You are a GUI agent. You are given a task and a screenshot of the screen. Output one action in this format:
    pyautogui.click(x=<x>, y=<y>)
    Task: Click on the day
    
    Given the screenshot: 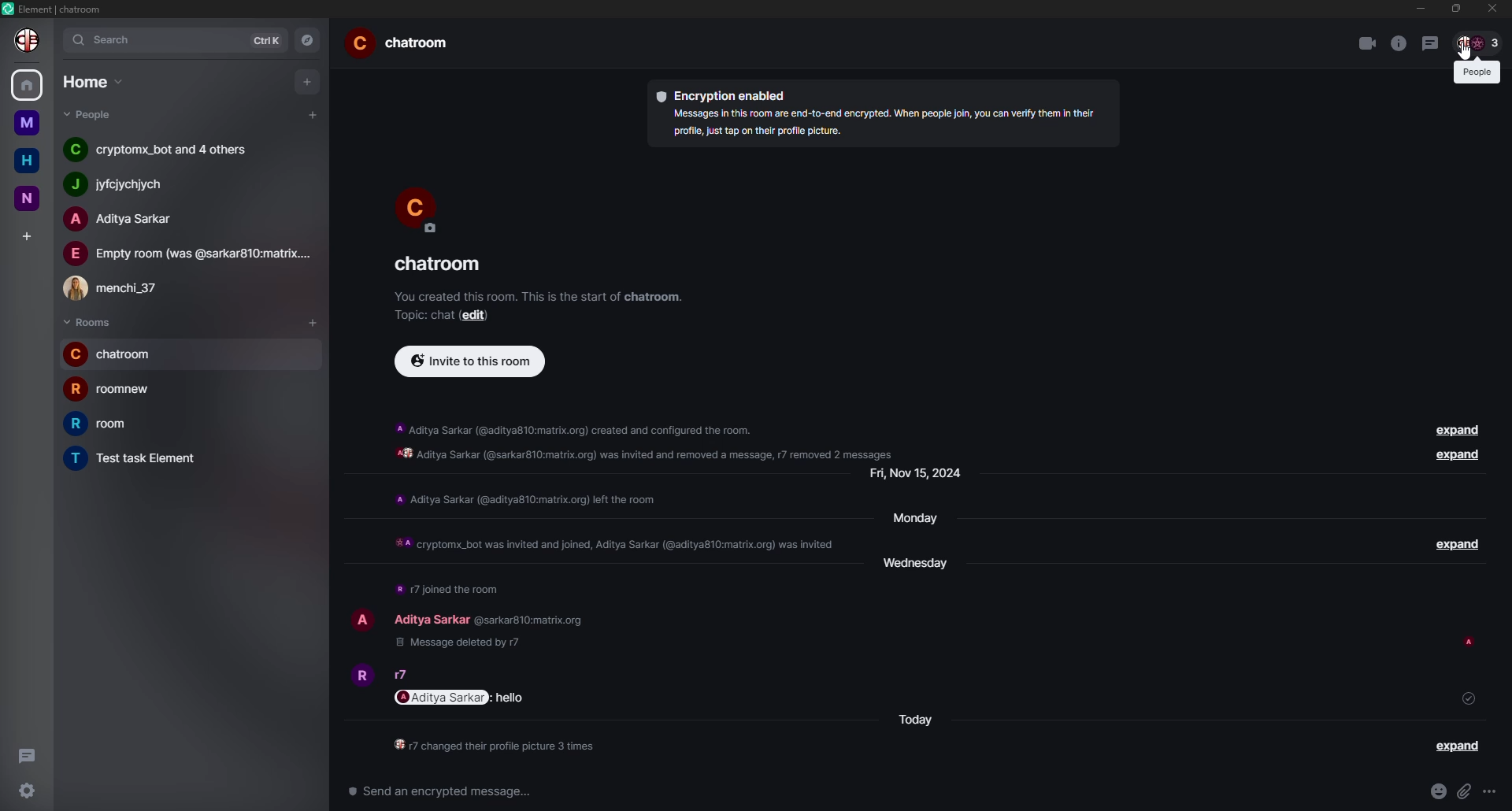 What is the action you would take?
    pyautogui.click(x=926, y=566)
    